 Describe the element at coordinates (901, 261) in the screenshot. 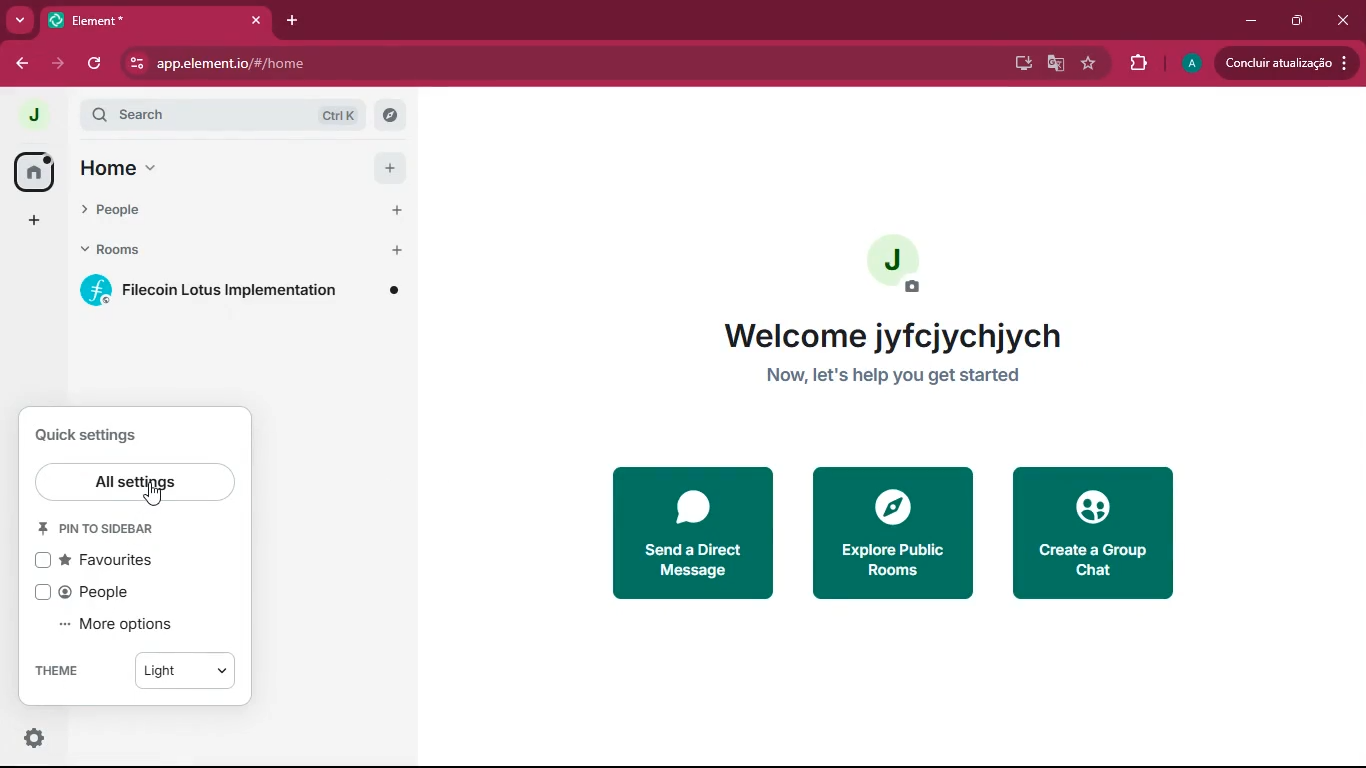

I see `profile picture` at that location.